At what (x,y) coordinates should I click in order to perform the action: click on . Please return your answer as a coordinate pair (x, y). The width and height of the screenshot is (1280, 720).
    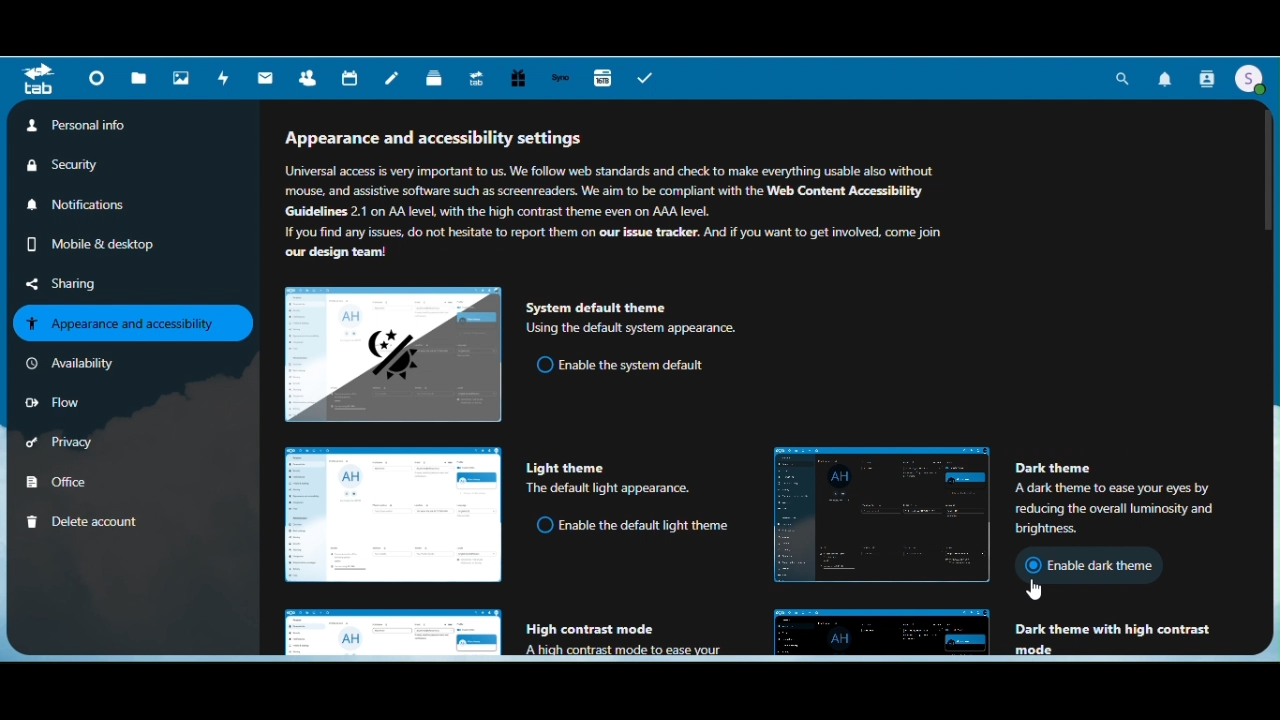
    Looking at the image, I should click on (39, 82).